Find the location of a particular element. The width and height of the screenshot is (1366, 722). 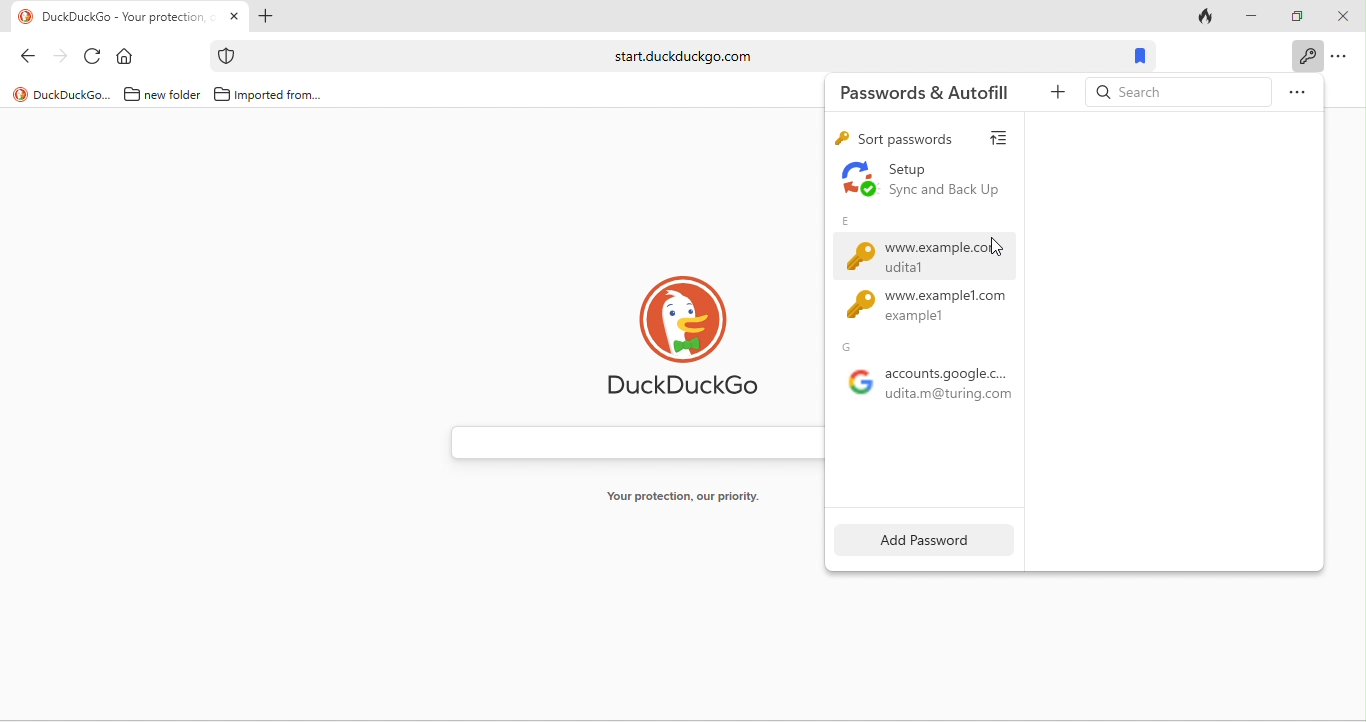

setup  is located at coordinates (933, 181).